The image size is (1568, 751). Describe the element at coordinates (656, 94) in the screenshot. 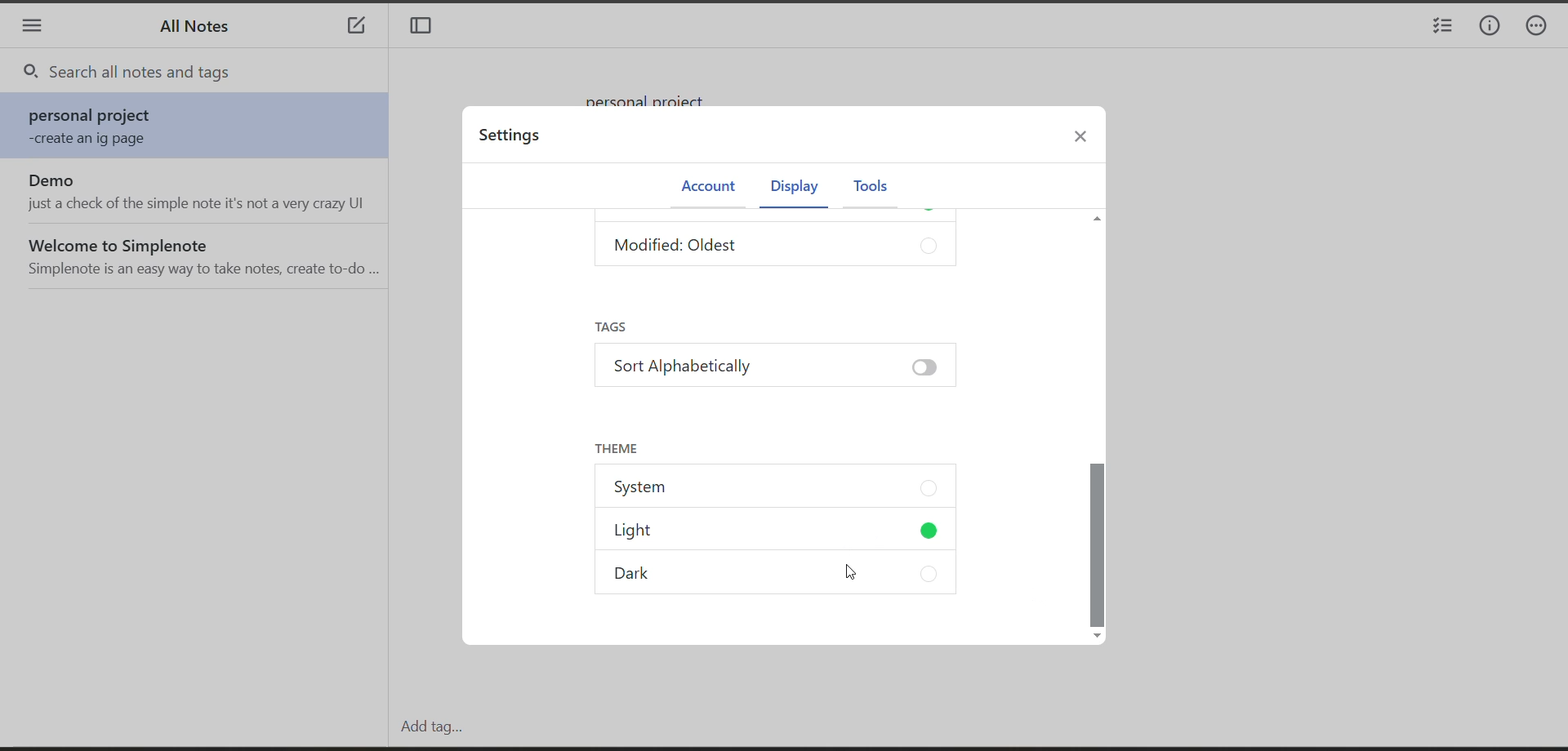

I see `data in current notes` at that location.